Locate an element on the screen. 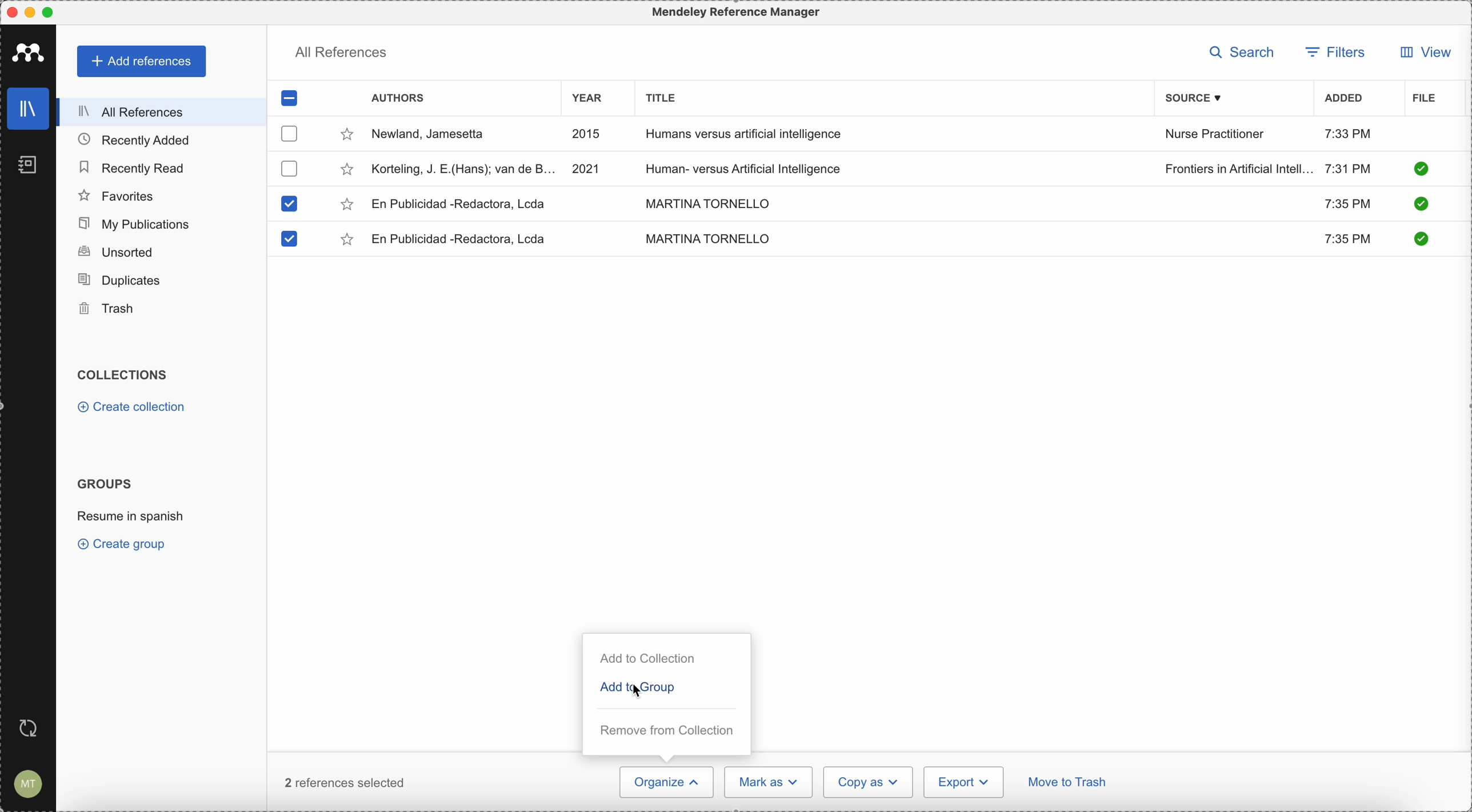 The height and width of the screenshot is (812, 1472). Newland, Jamesetta is located at coordinates (434, 135).